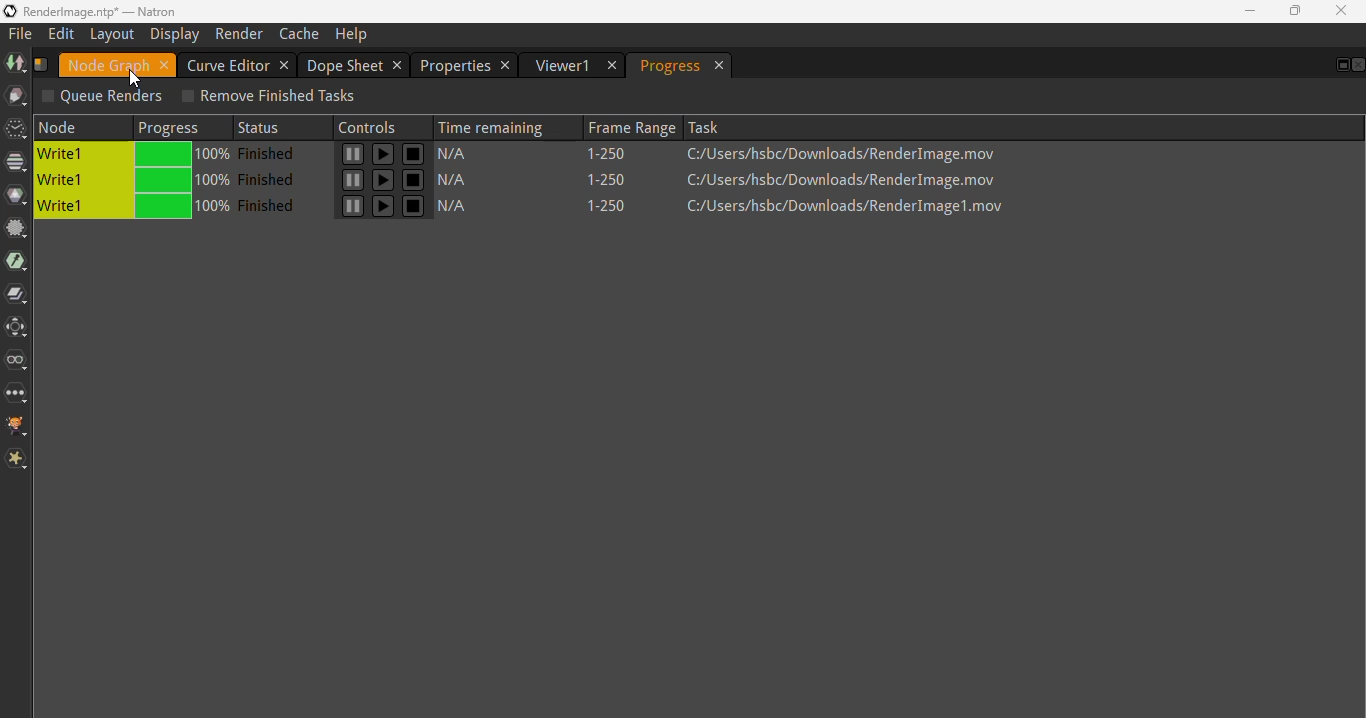  I want to click on close tab, so click(165, 65).